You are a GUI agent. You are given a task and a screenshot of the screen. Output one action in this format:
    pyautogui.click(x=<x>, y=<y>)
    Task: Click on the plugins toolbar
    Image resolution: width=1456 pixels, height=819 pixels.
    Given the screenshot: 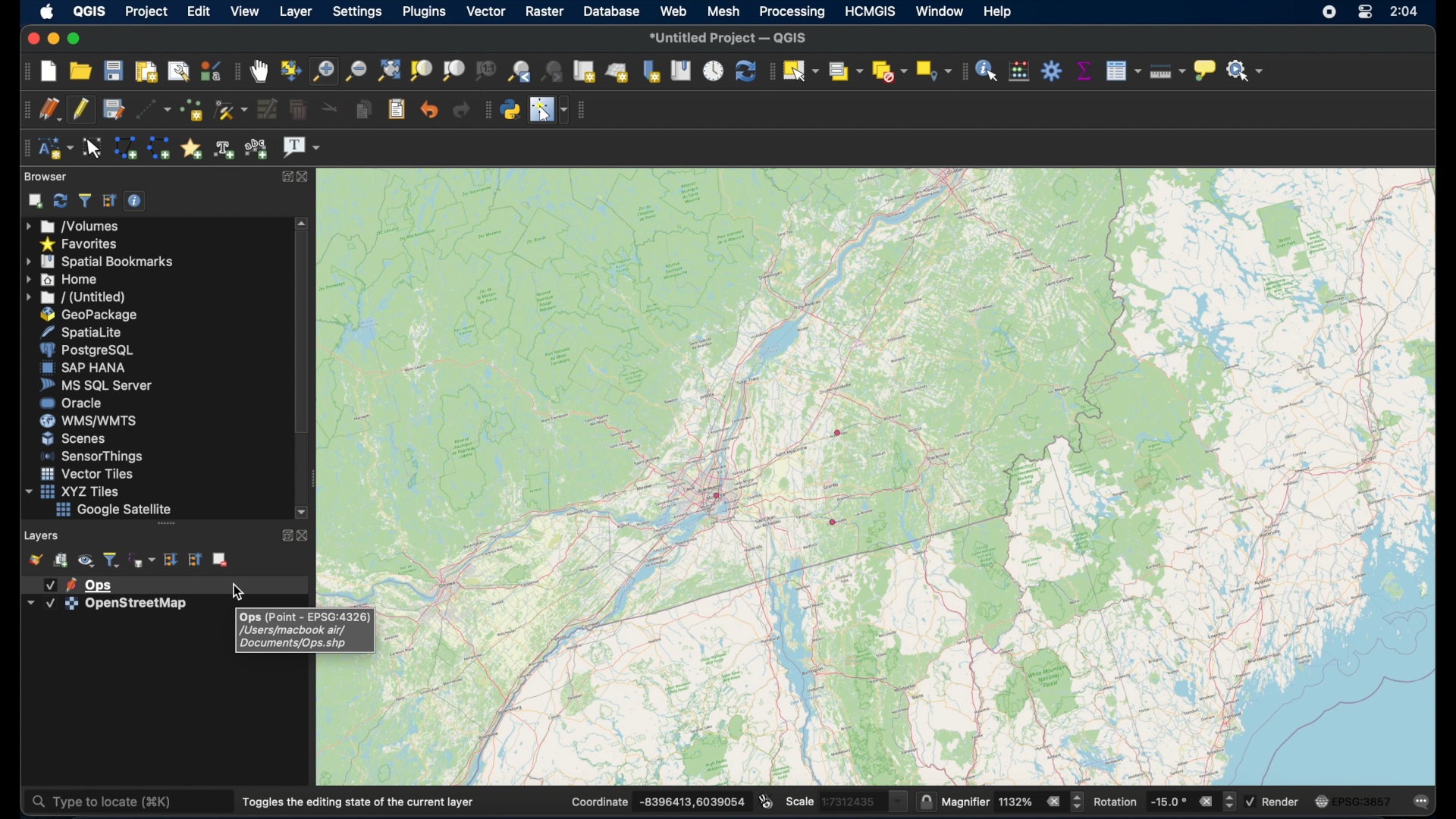 What is the action you would take?
    pyautogui.click(x=484, y=110)
    